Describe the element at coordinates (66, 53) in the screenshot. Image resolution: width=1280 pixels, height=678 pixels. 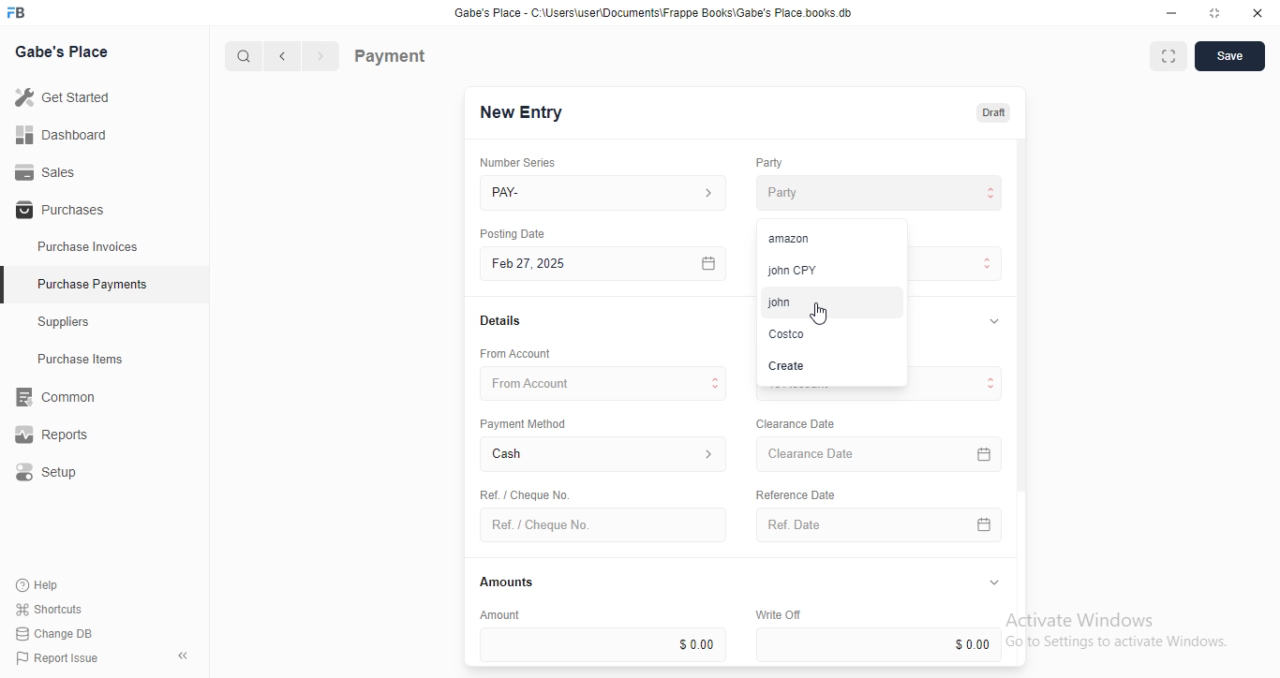
I see `Gabe's Place` at that location.